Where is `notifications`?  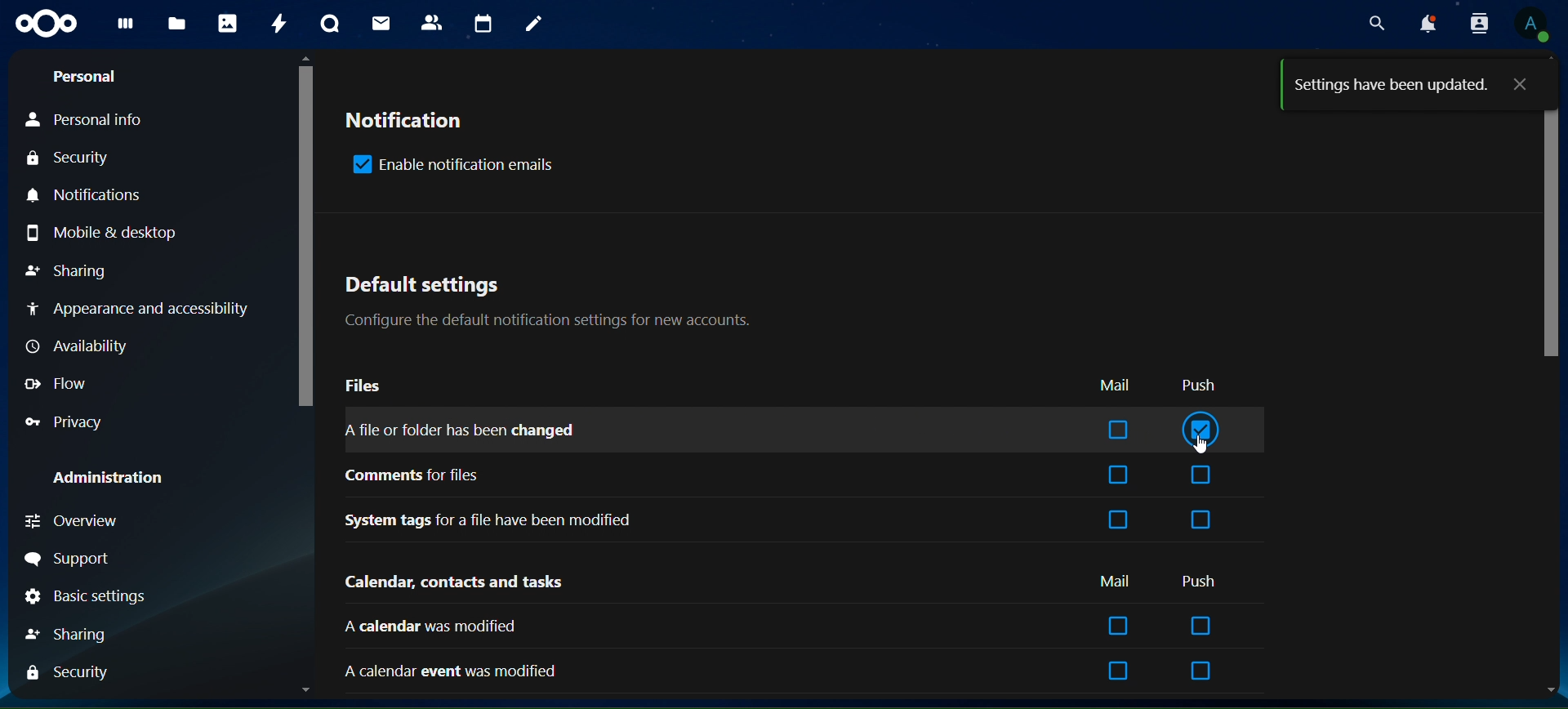
notifications is located at coordinates (1424, 24).